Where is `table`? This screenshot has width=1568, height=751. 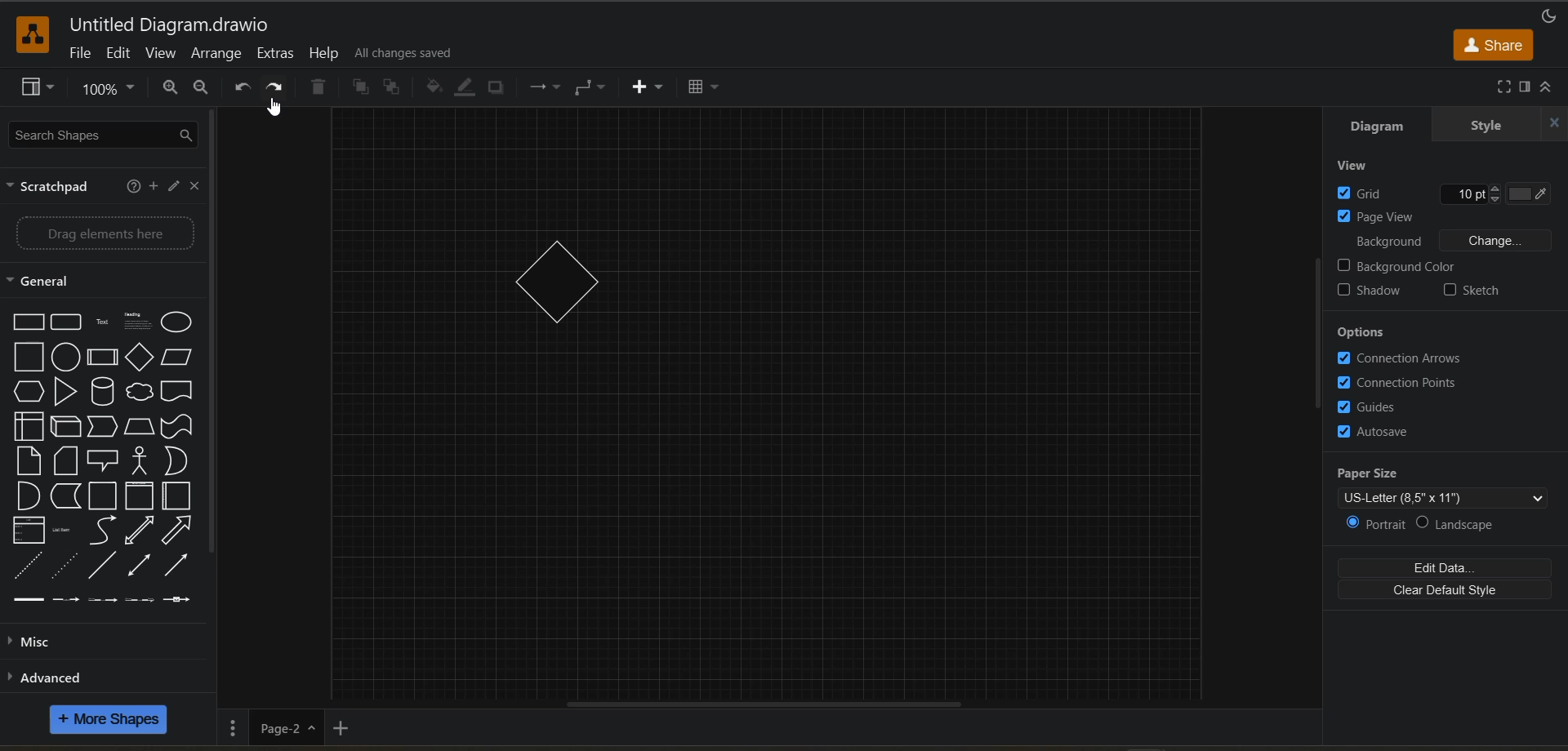 table is located at coordinates (708, 89).